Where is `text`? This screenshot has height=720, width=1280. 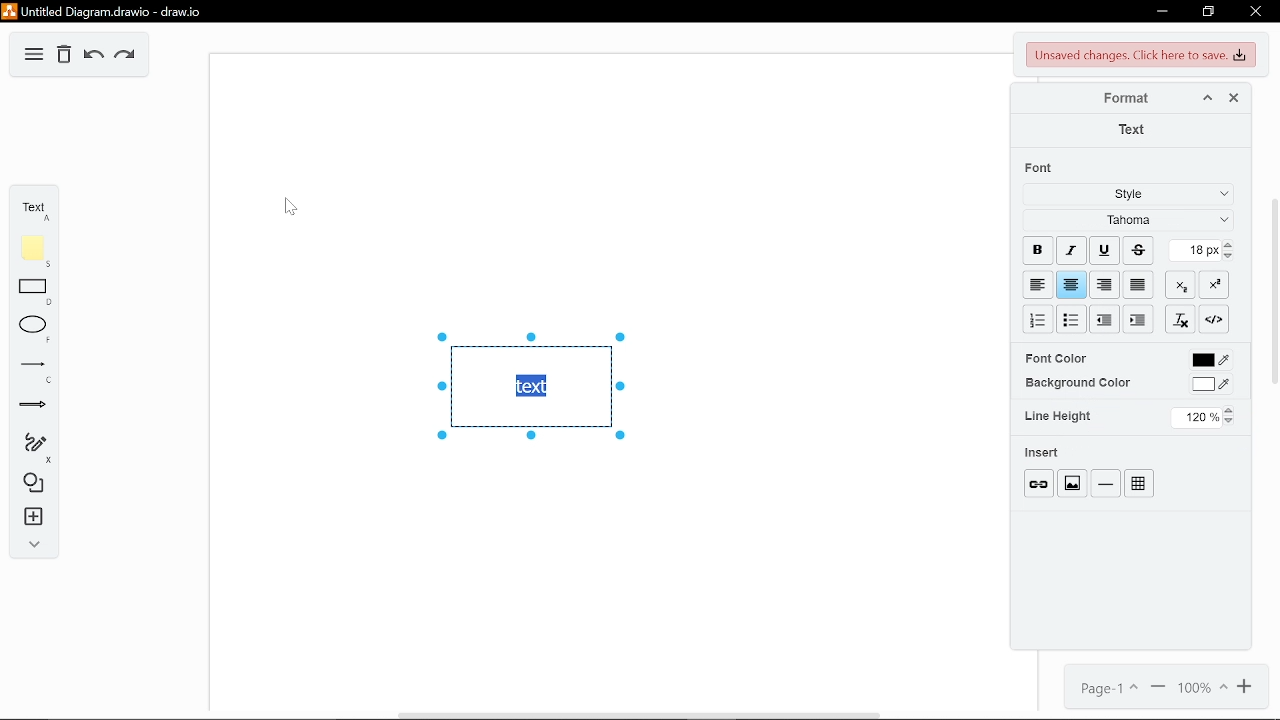
text is located at coordinates (1133, 130).